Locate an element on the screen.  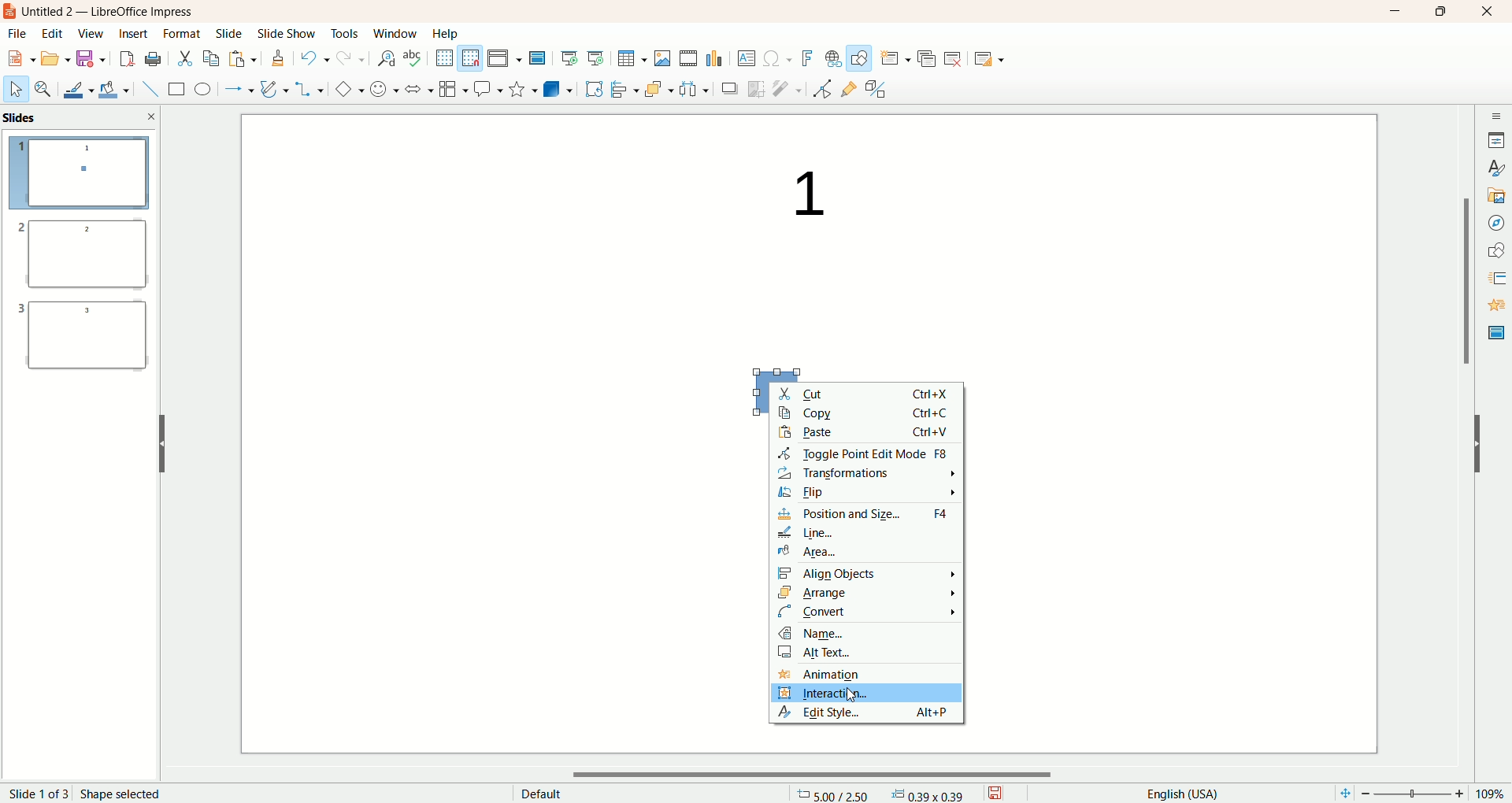
fontwork text is located at coordinates (805, 57).